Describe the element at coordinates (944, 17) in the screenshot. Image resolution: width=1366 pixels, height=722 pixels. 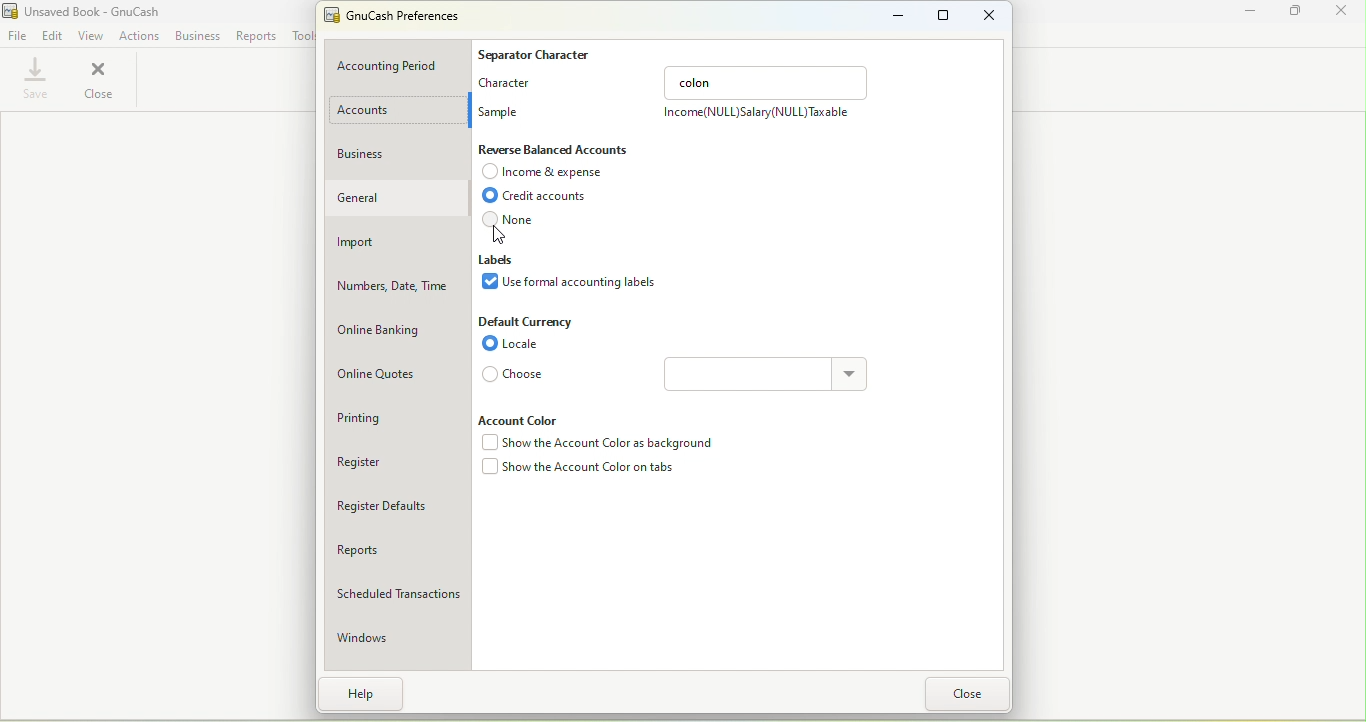
I see `Maximize` at that location.